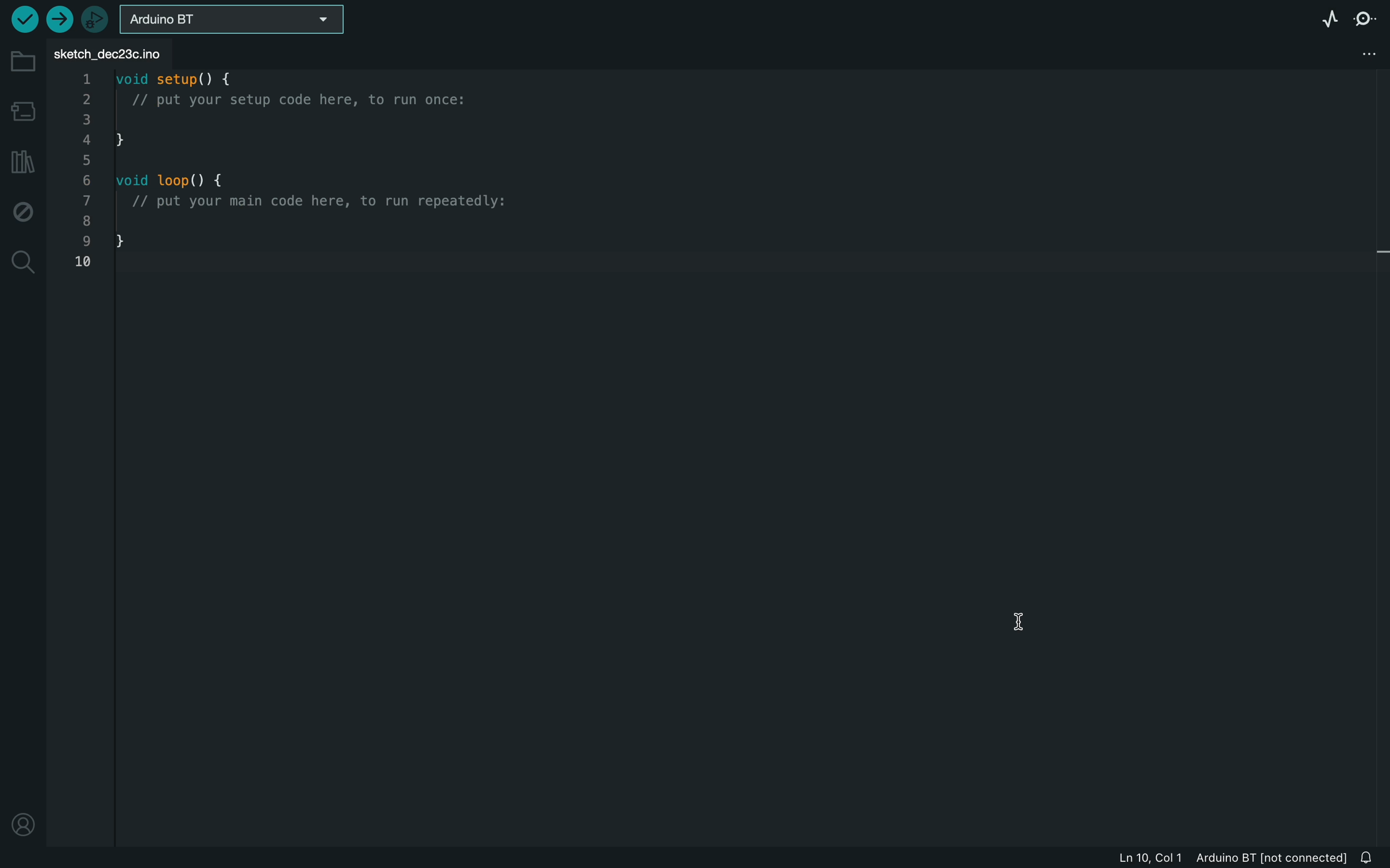  Describe the element at coordinates (22, 163) in the screenshot. I see `library manager` at that location.